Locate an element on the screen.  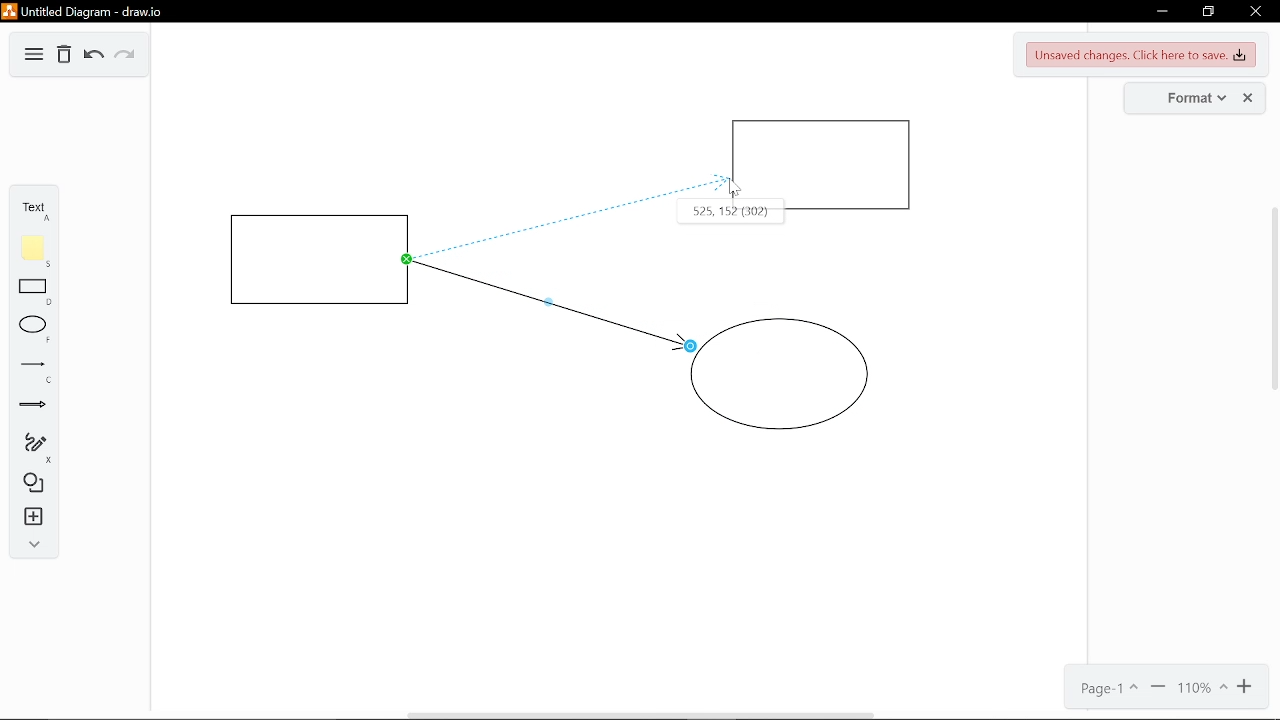
Scroll Bar is located at coordinates (1269, 356).